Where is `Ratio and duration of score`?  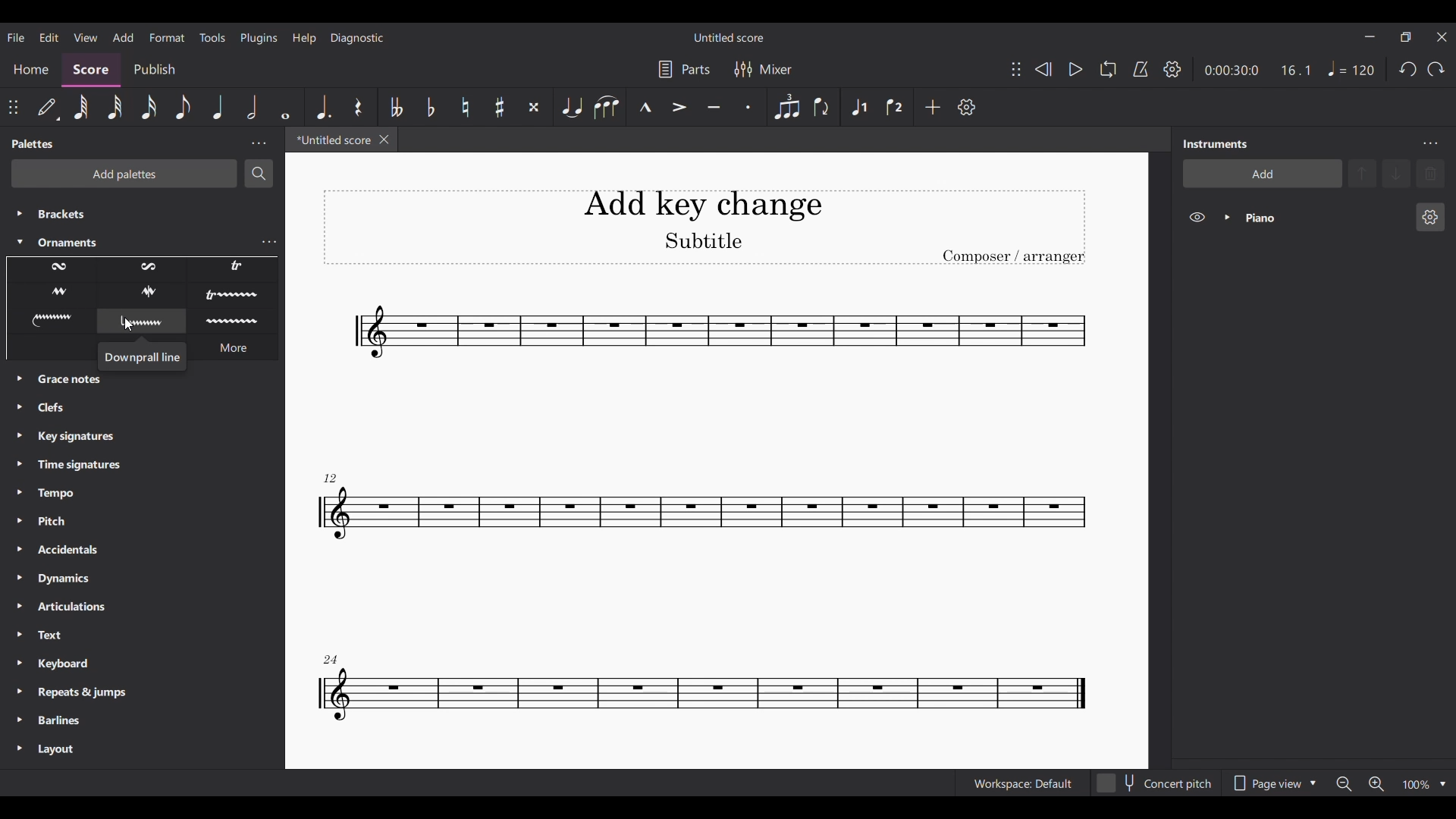
Ratio and duration of score is located at coordinates (1257, 70).